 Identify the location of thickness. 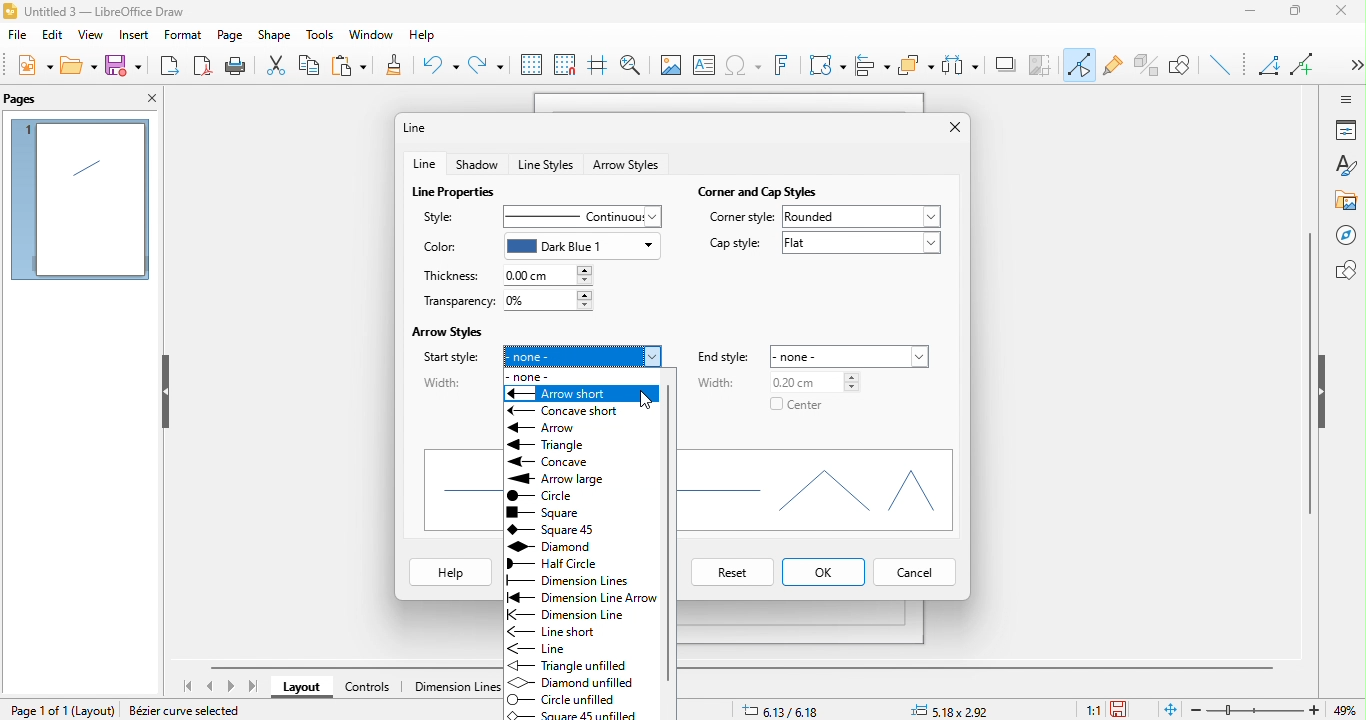
(456, 275).